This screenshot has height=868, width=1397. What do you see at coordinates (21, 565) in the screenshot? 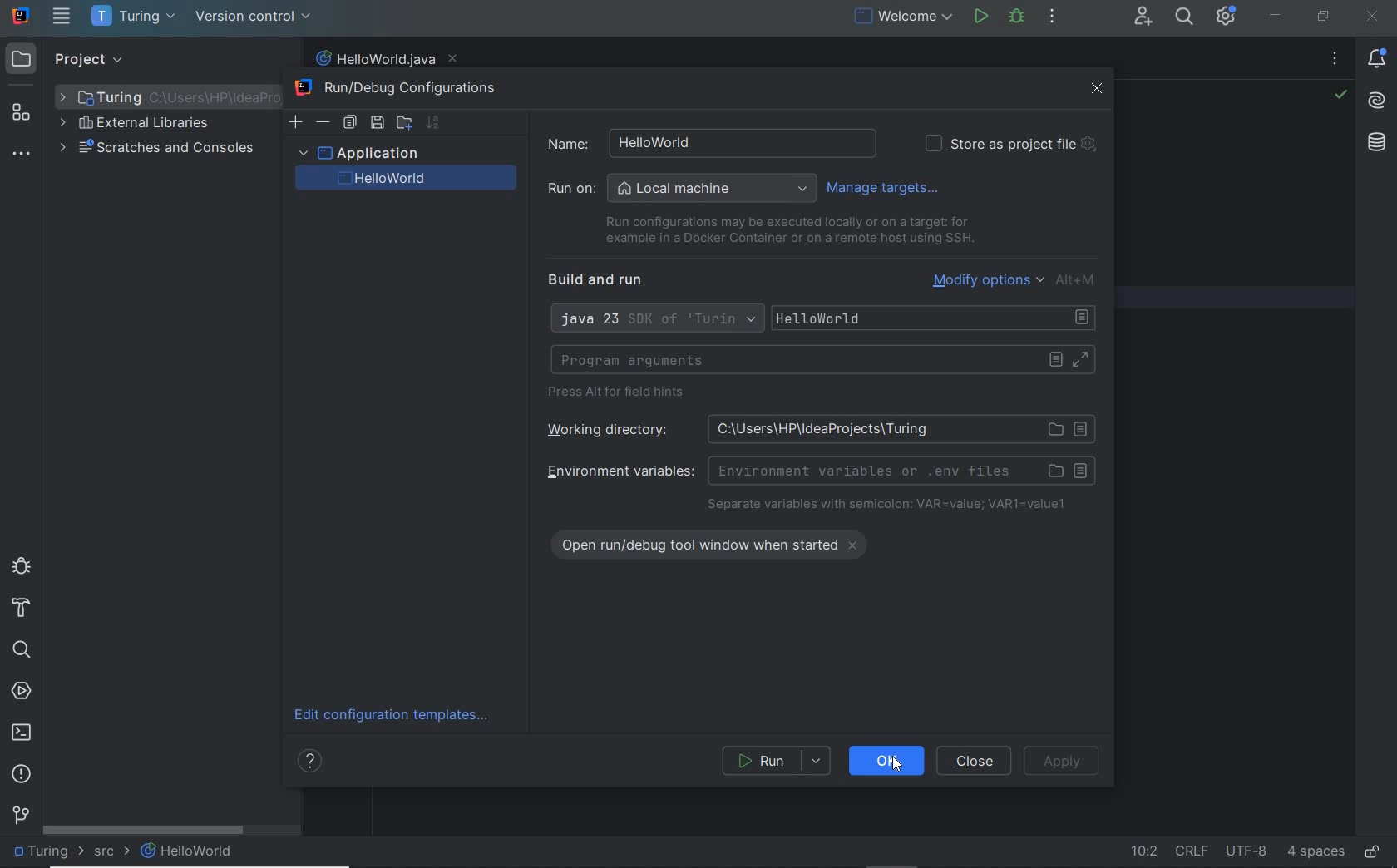
I see `debug` at bounding box center [21, 565].